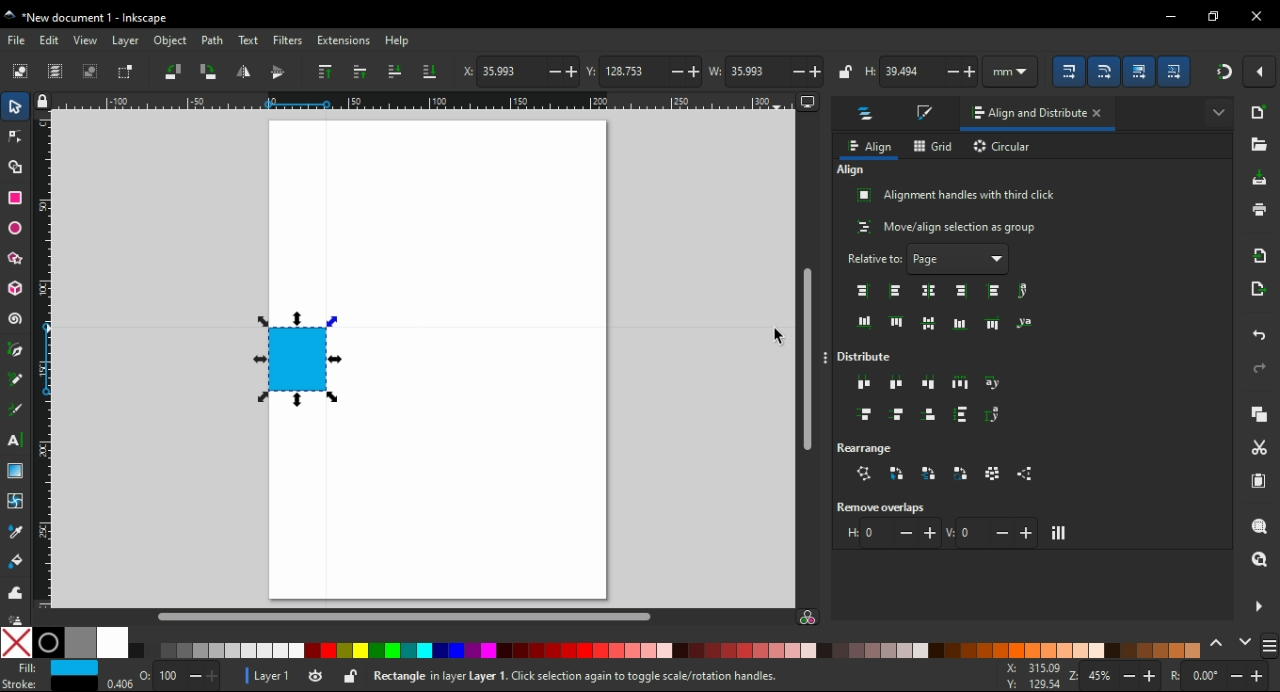 Image resolution: width=1280 pixels, height=692 pixels. What do you see at coordinates (927, 473) in the screenshot?
I see `exchange positions of selected objects stacking order` at bounding box center [927, 473].